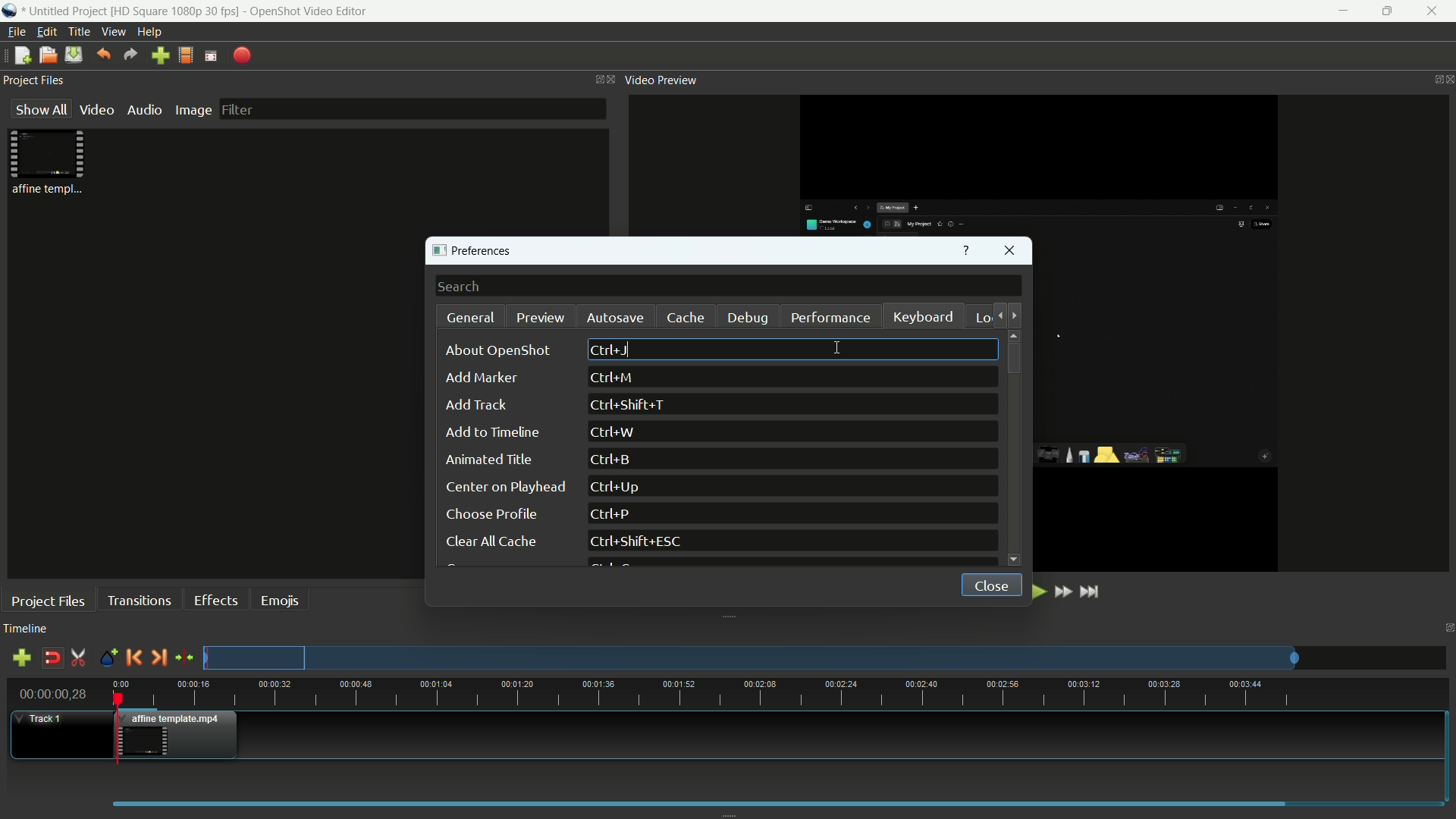 The image size is (1456, 819). What do you see at coordinates (158, 657) in the screenshot?
I see `next marker` at bounding box center [158, 657].